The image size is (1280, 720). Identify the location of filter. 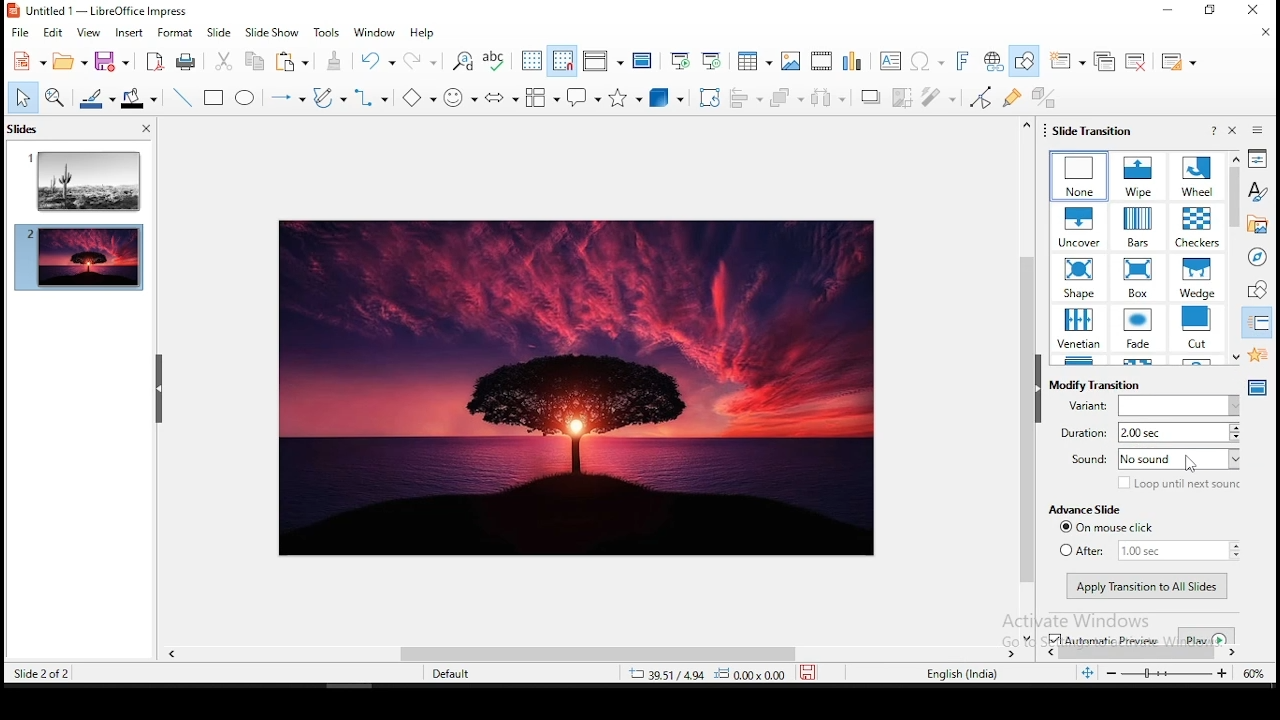
(939, 96).